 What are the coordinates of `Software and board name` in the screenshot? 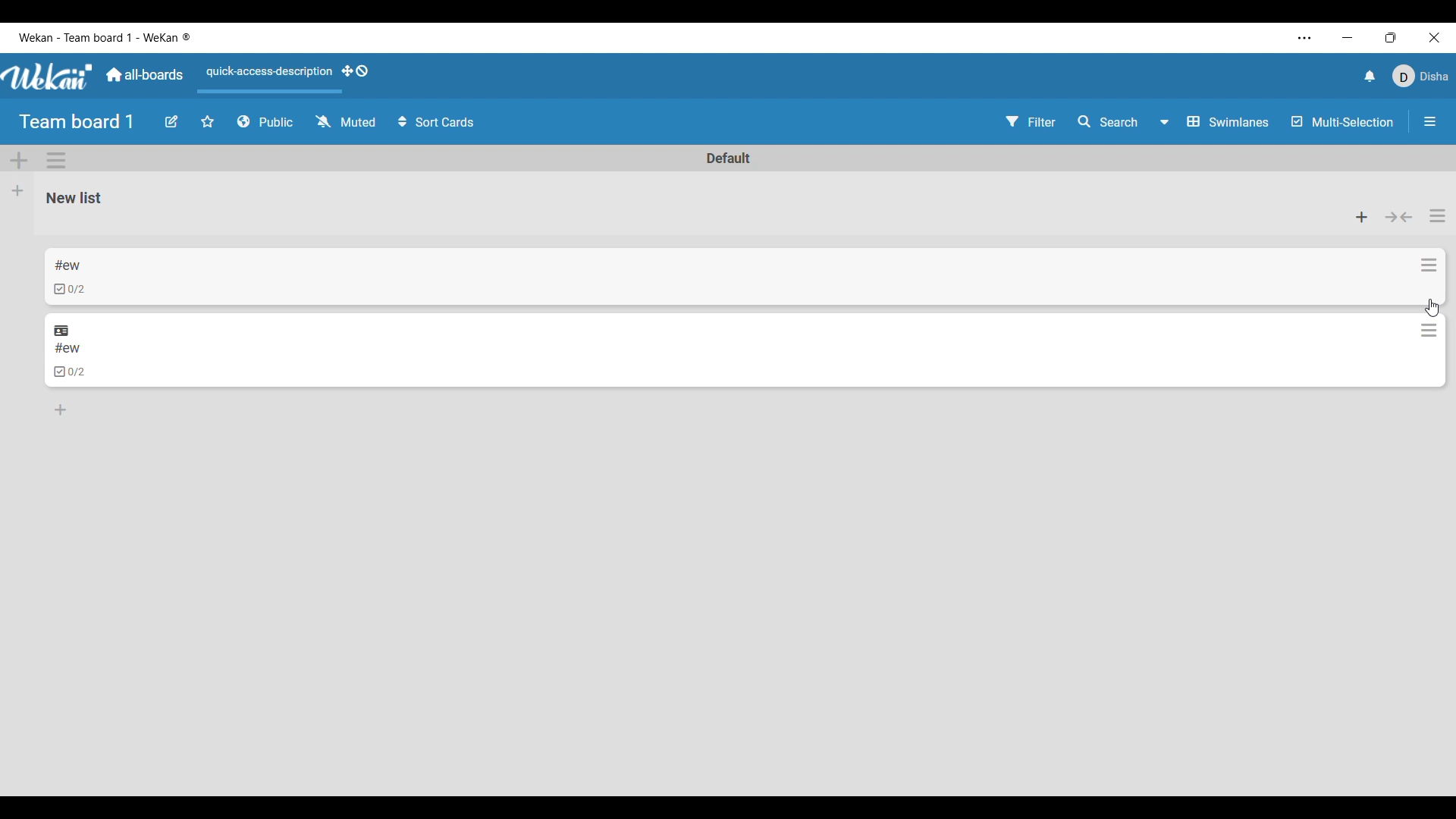 It's located at (105, 37).